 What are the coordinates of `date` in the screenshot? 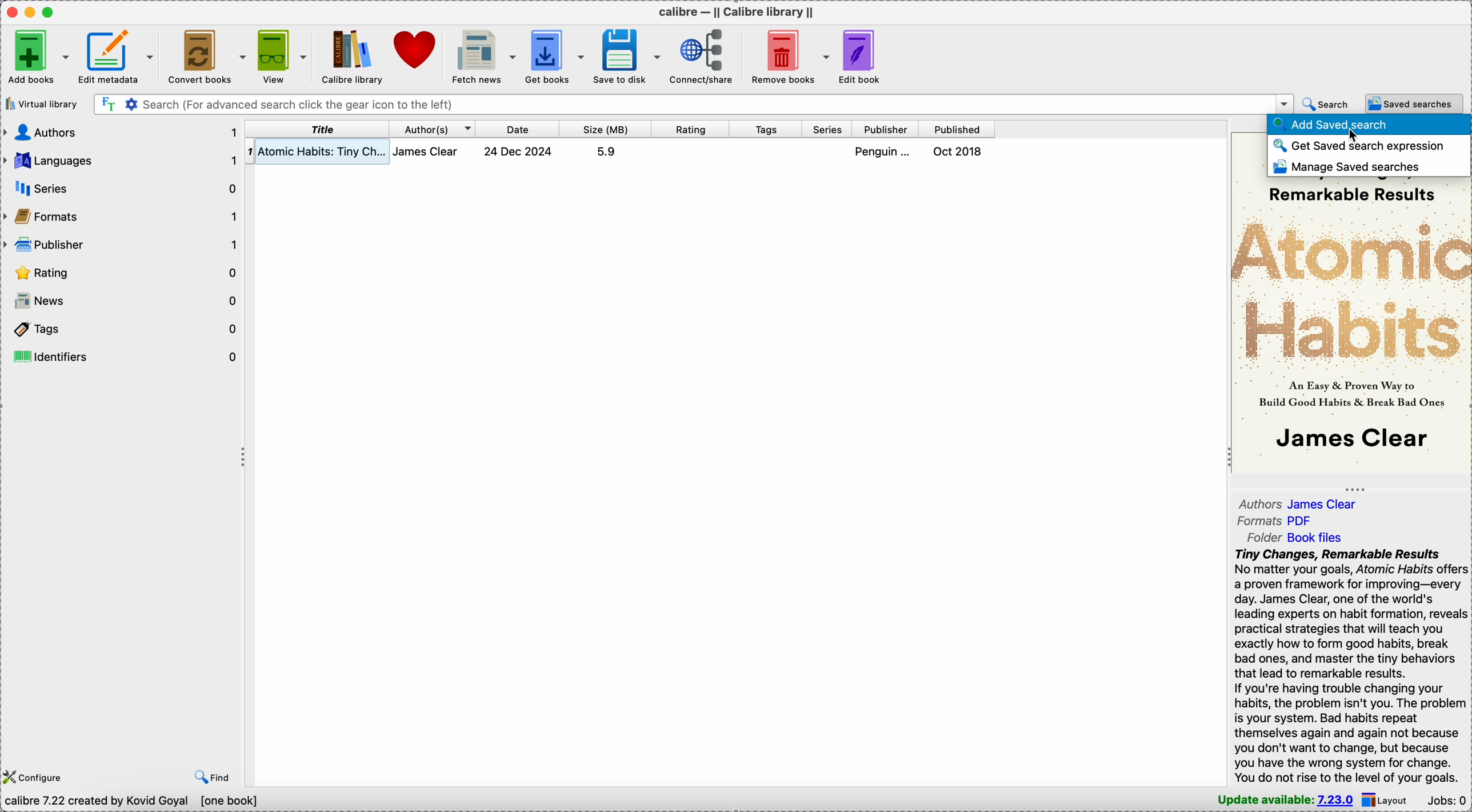 It's located at (518, 129).